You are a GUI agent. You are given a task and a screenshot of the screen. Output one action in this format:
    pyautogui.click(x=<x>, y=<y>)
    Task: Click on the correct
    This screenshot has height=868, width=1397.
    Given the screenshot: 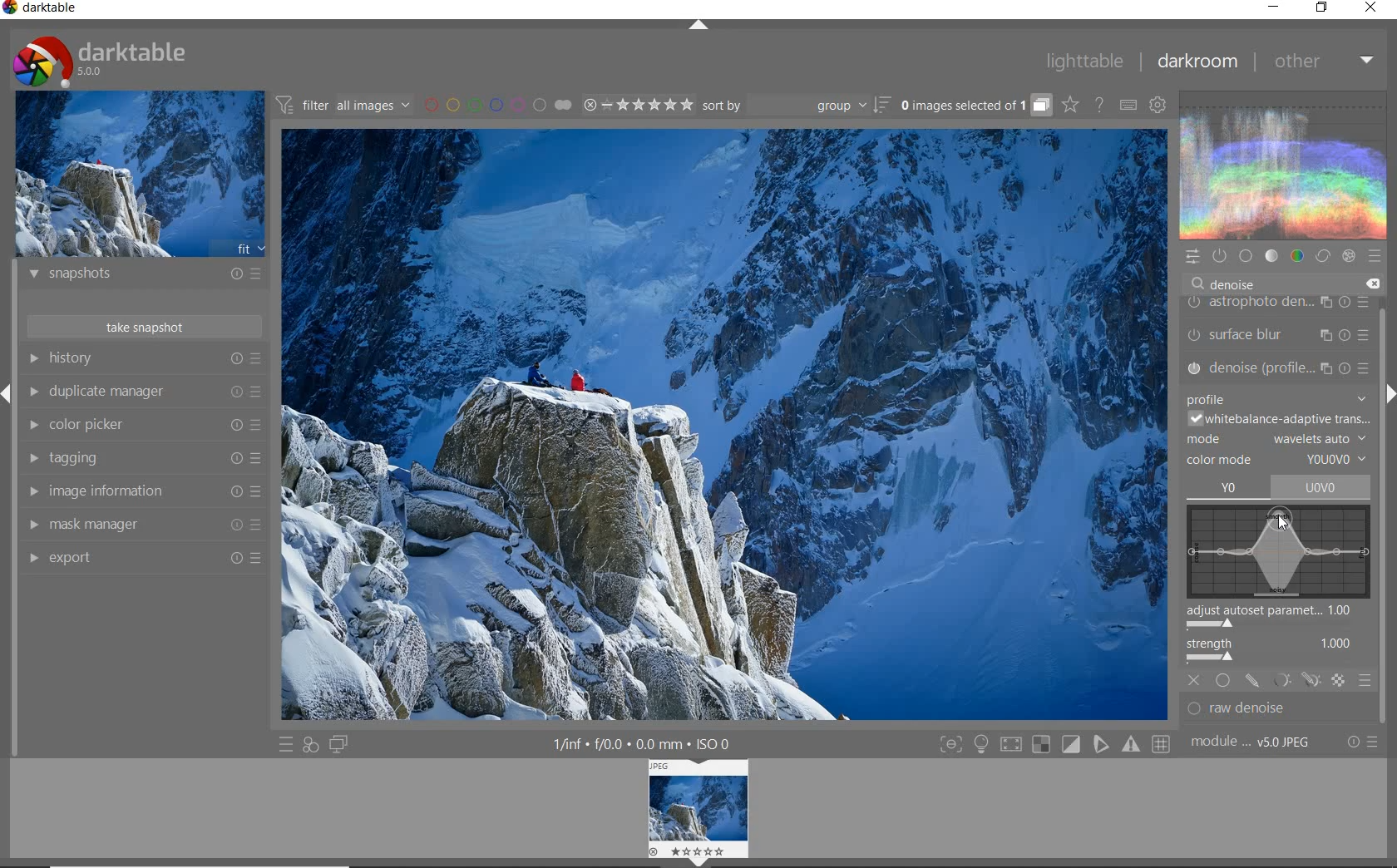 What is the action you would take?
    pyautogui.click(x=1322, y=255)
    